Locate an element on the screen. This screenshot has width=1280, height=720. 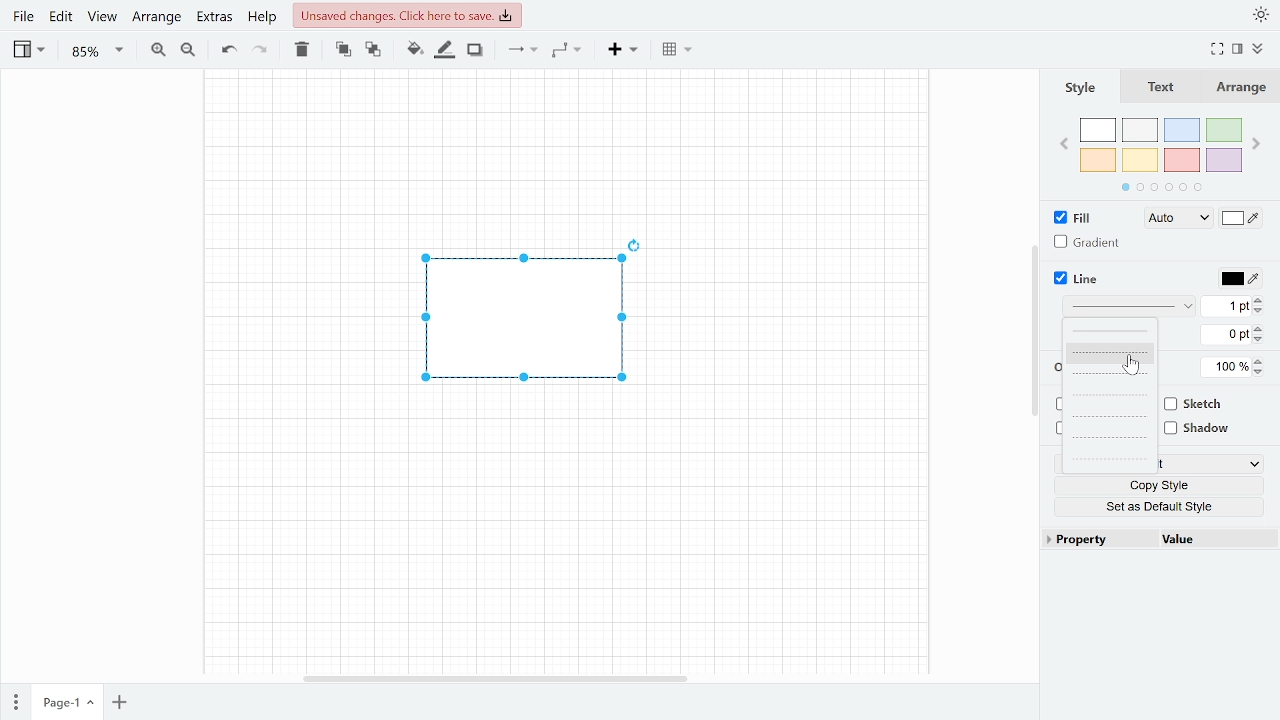
Dotted 1 is located at coordinates (1109, 417).